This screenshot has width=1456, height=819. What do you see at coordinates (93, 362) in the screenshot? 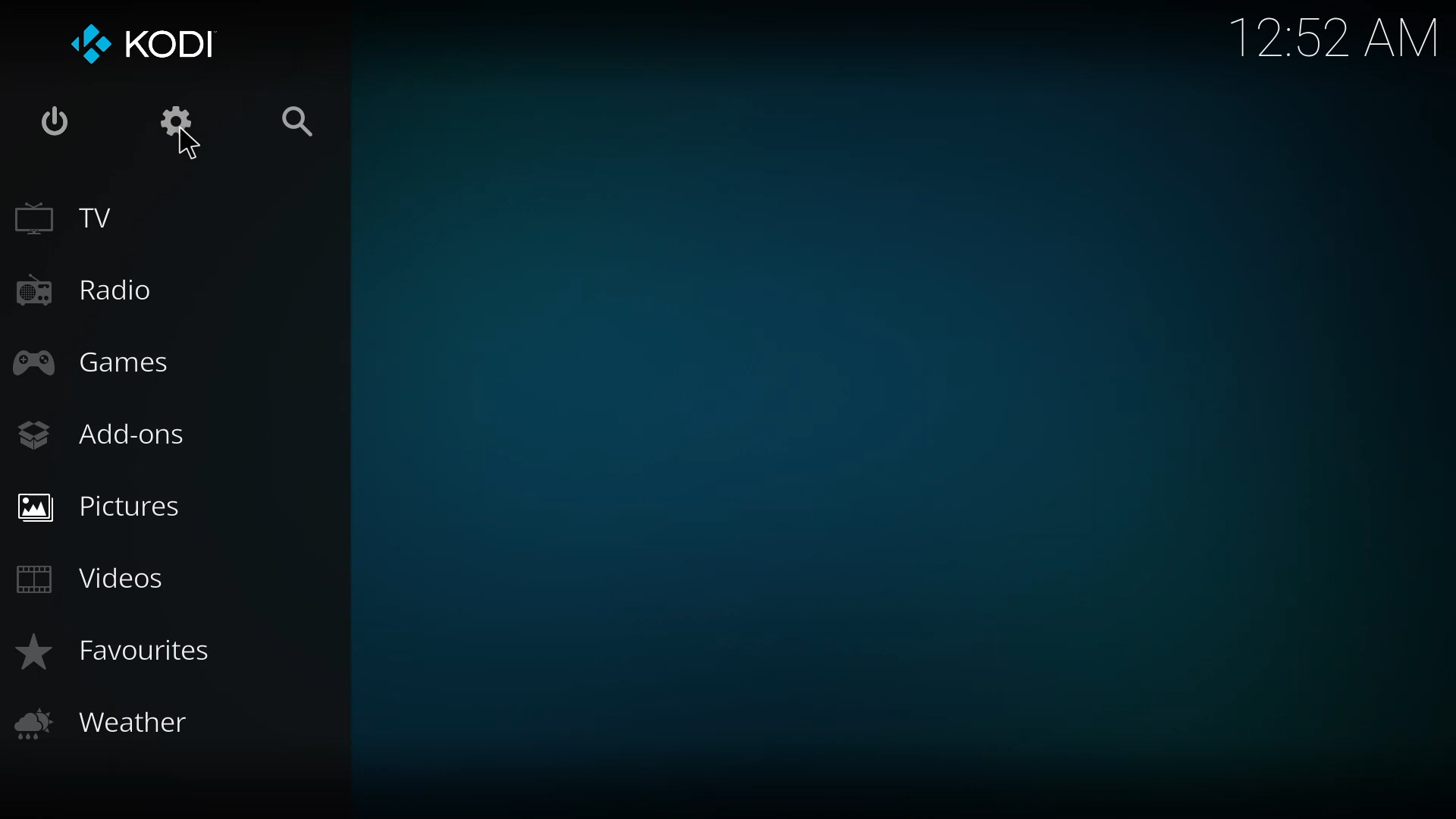
I see `games` at bounding box center [93, 362].